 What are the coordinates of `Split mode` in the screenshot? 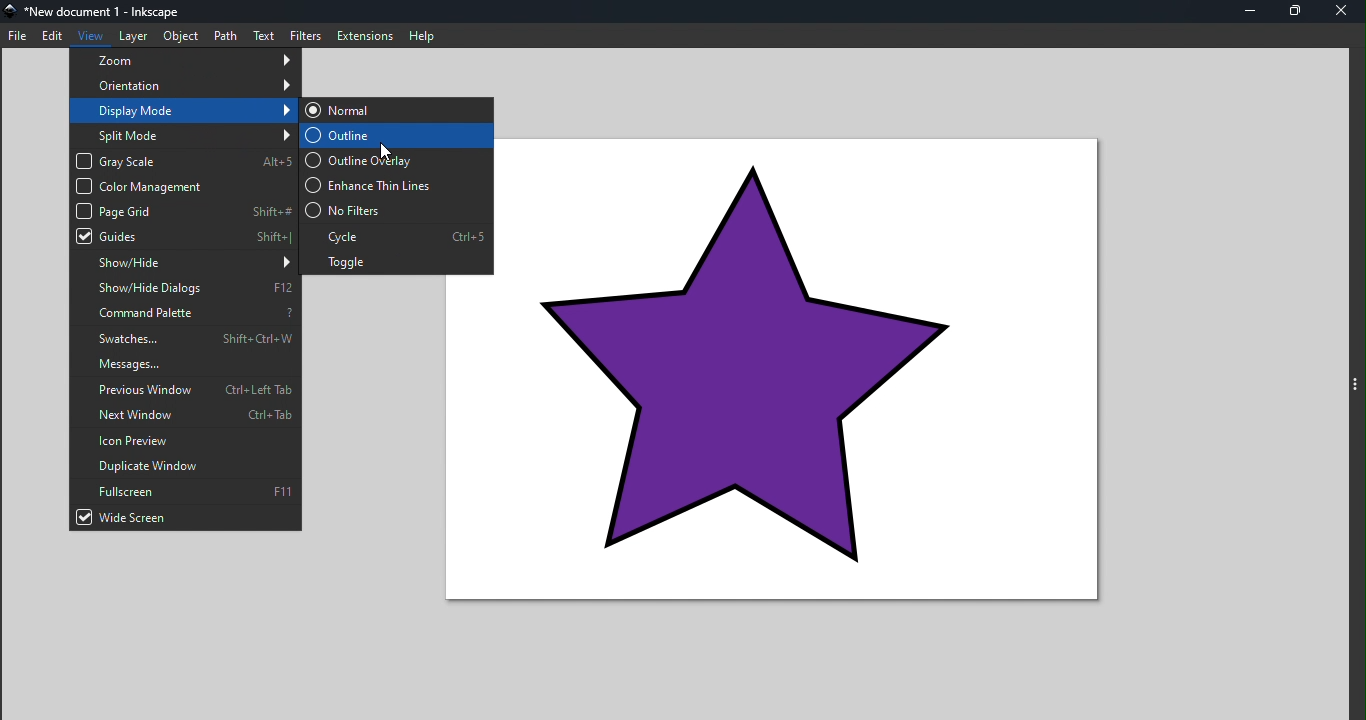 It's located at (182, 135).